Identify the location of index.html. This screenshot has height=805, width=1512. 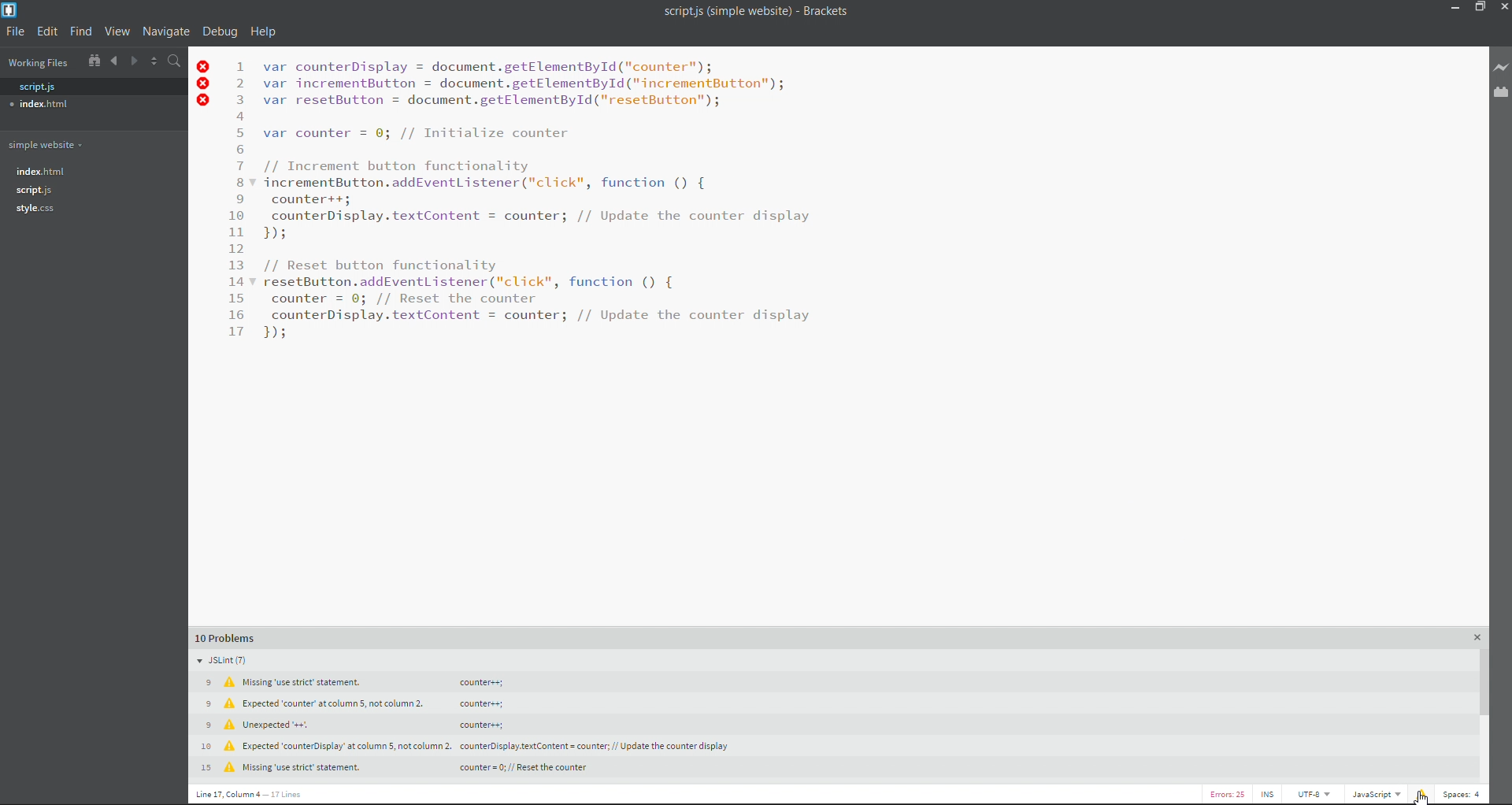
(51, 172).